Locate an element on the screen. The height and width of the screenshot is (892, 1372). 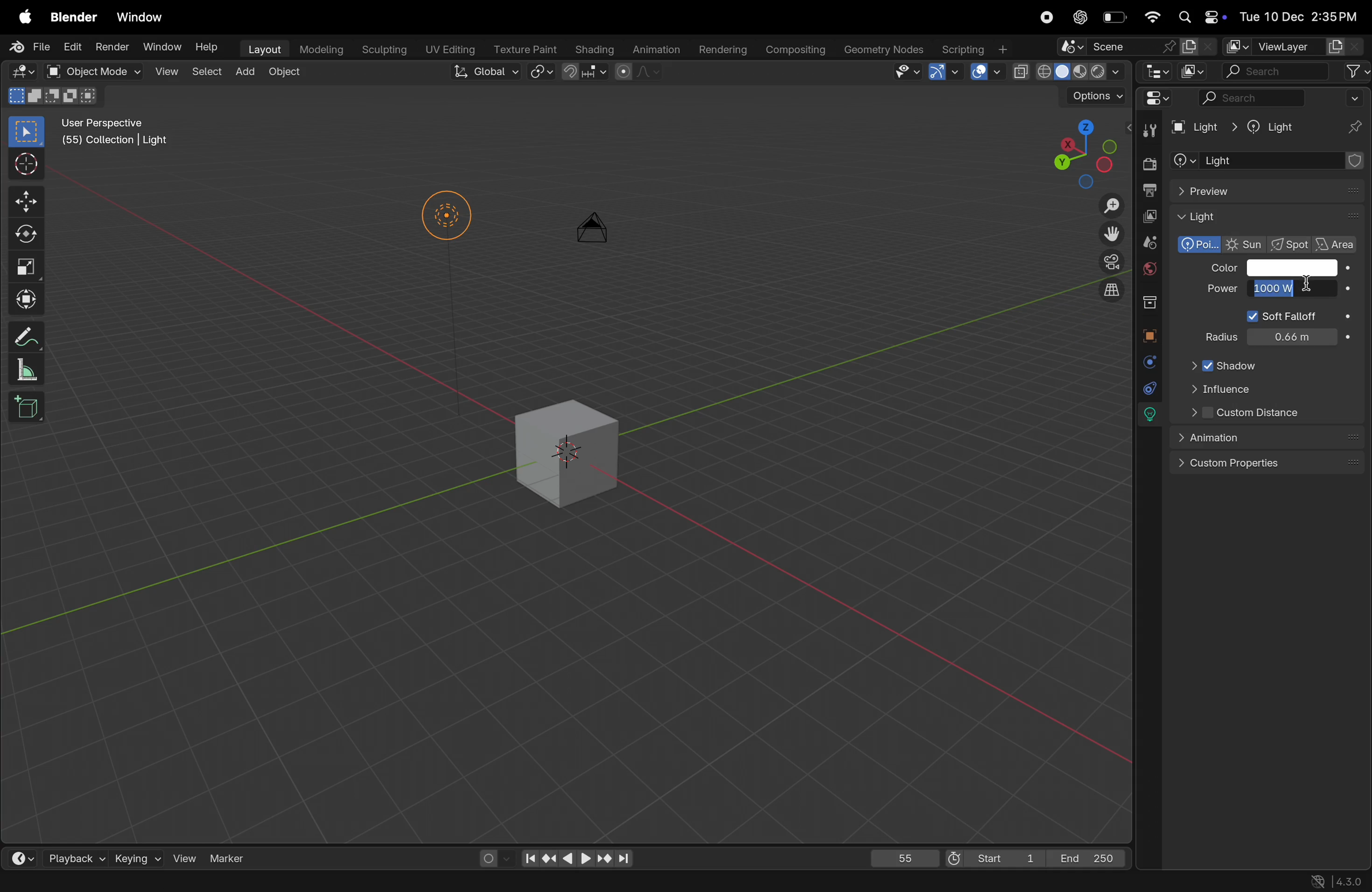
camera is located at coordinates (1109, 262).